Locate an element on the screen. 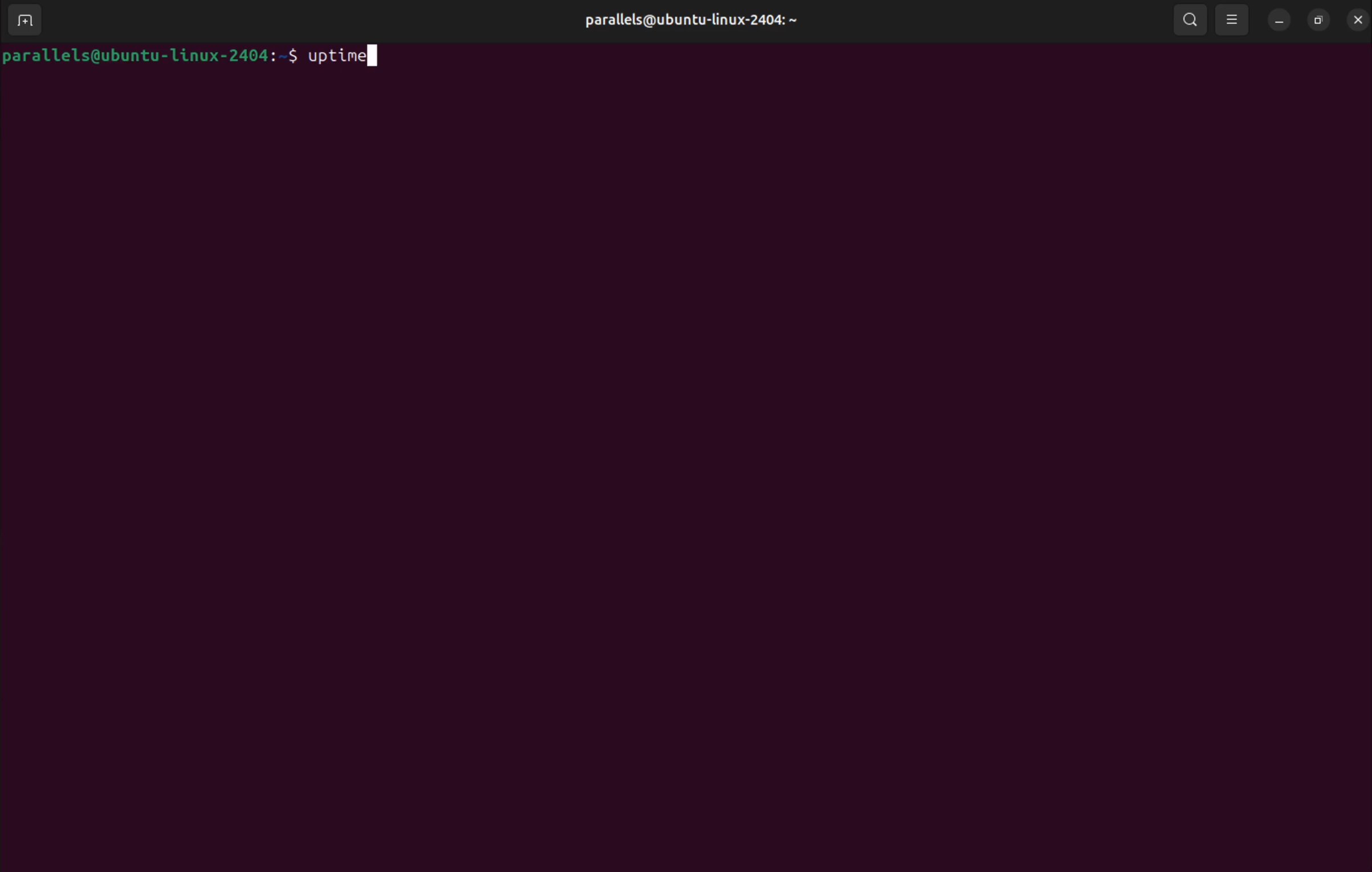 The image size is (1372, 872). search is located at coordinates (1188, 19).